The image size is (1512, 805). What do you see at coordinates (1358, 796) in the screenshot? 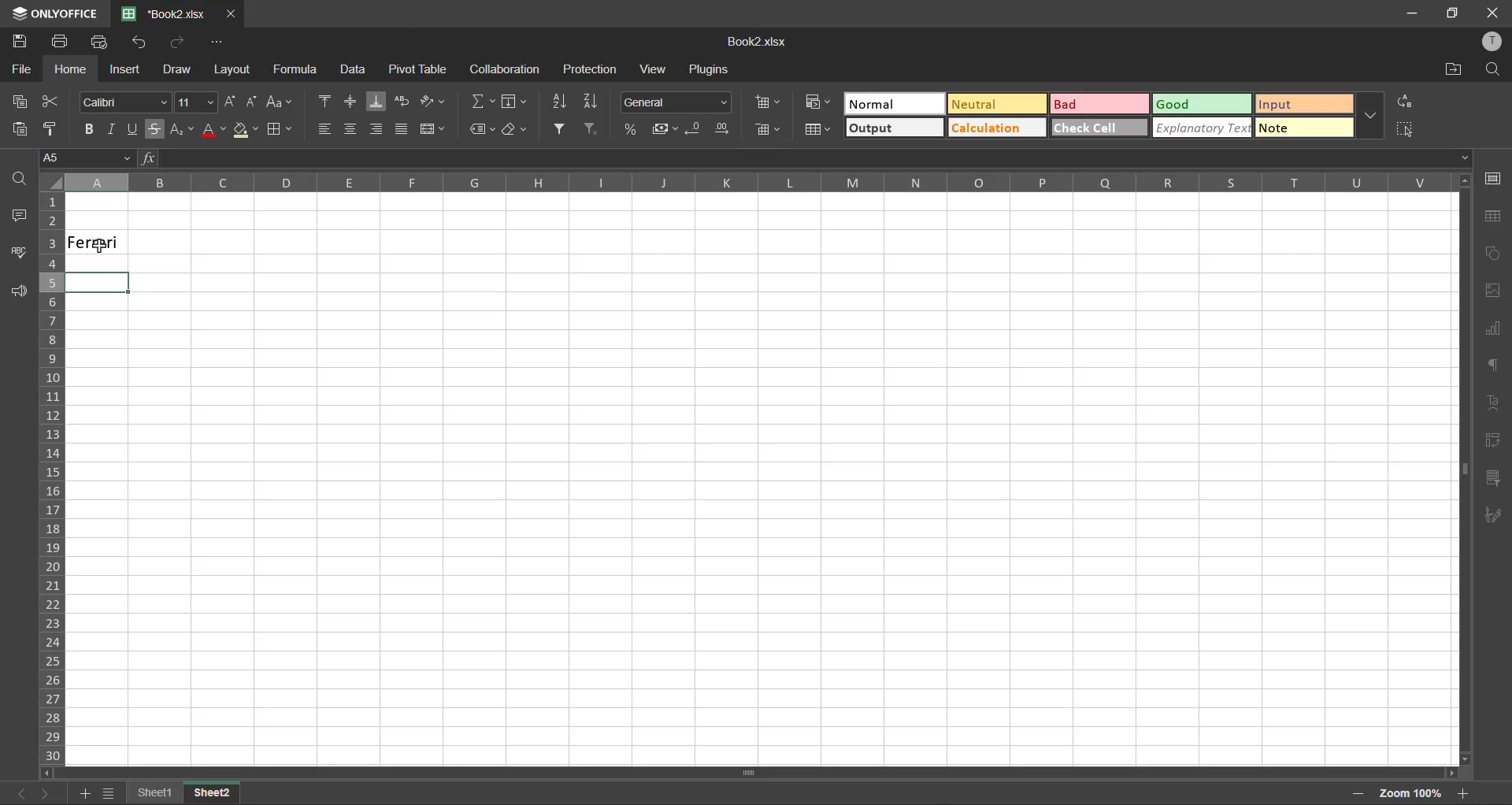
I see `zoom out` at bounding box center [1358, 796].